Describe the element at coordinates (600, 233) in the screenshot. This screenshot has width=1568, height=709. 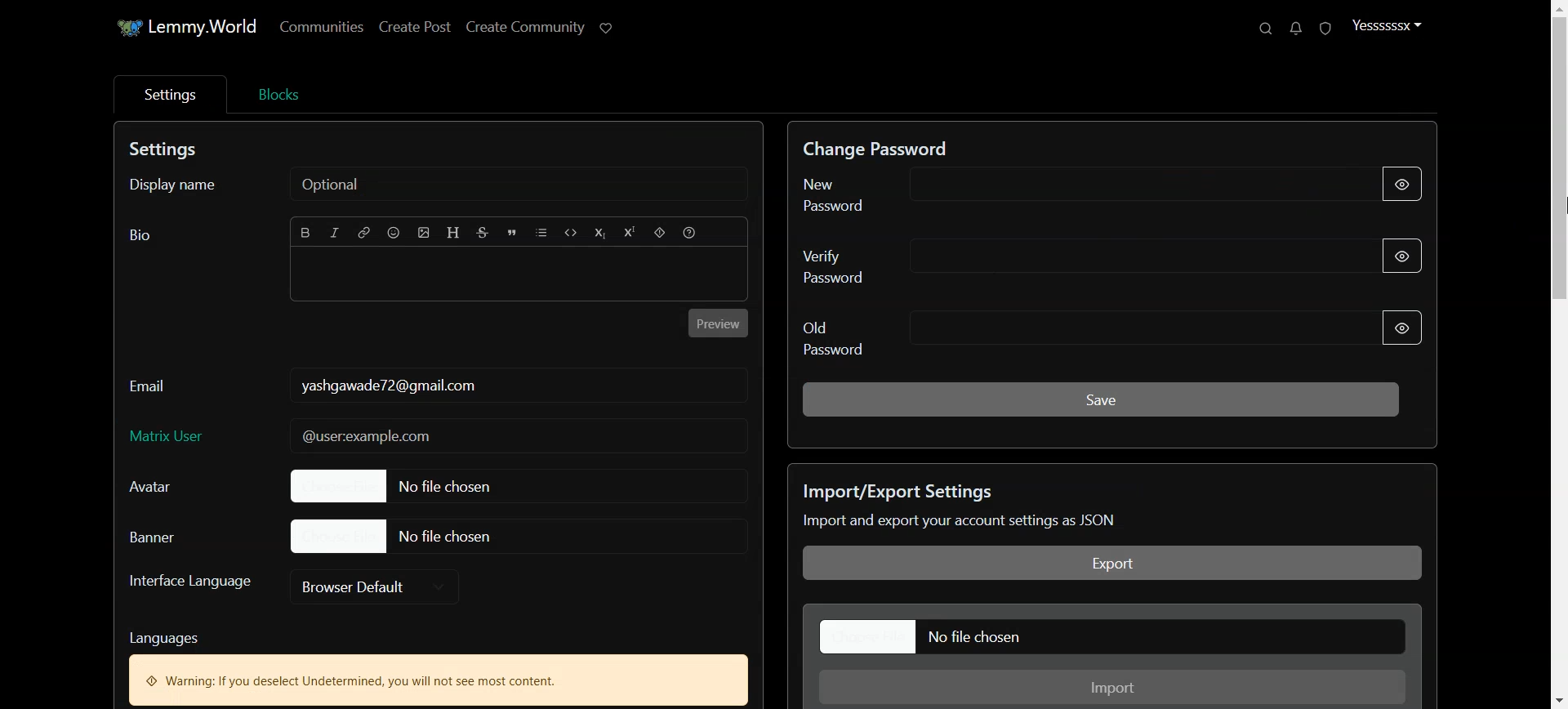
I see `Subscript` at that location.